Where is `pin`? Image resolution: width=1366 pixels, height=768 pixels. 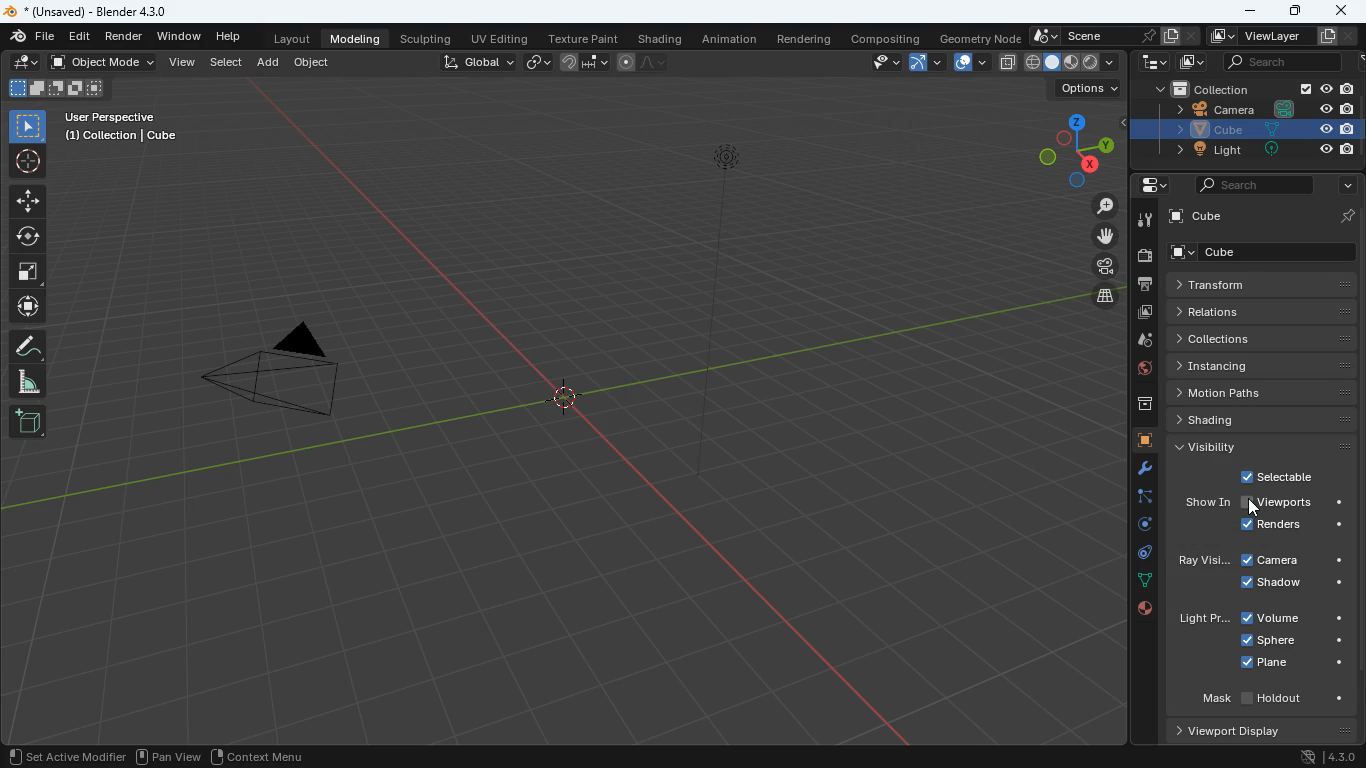
pin is located at coordinates (1347, 216).